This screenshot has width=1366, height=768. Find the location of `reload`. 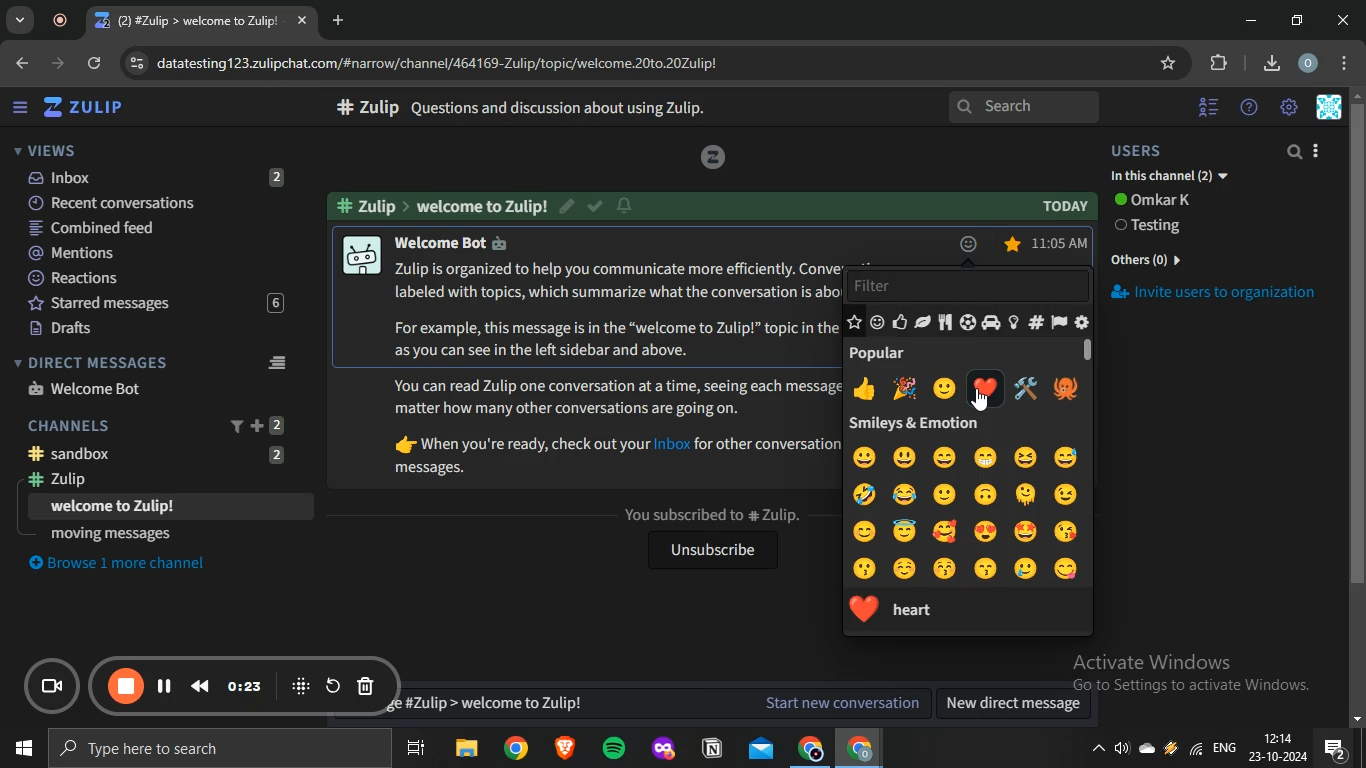

reload is located at coordinates (96, 65).